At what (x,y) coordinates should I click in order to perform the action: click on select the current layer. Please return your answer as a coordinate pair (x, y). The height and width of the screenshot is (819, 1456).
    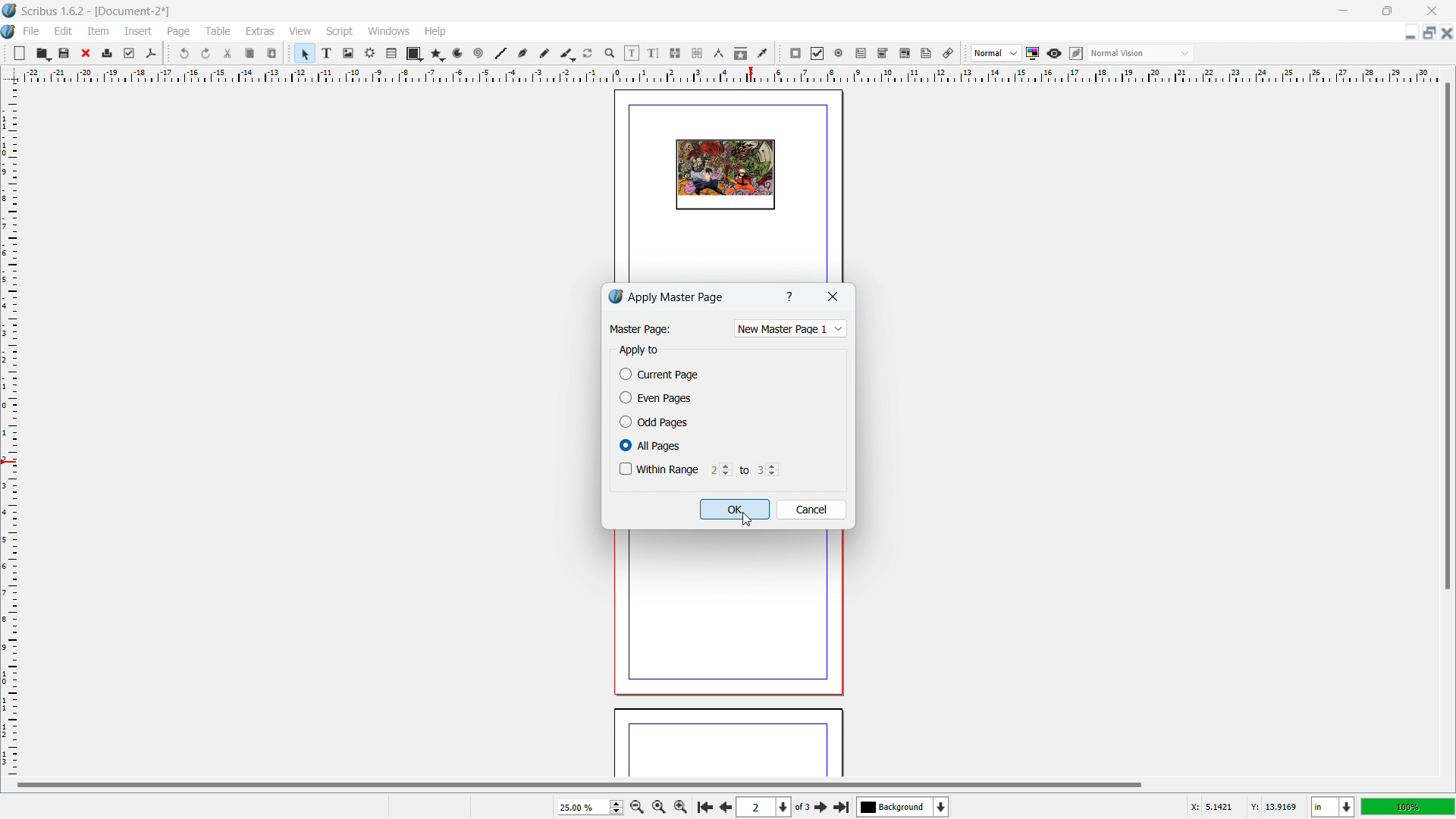
    Looking at the image, I should click on (903, 807).